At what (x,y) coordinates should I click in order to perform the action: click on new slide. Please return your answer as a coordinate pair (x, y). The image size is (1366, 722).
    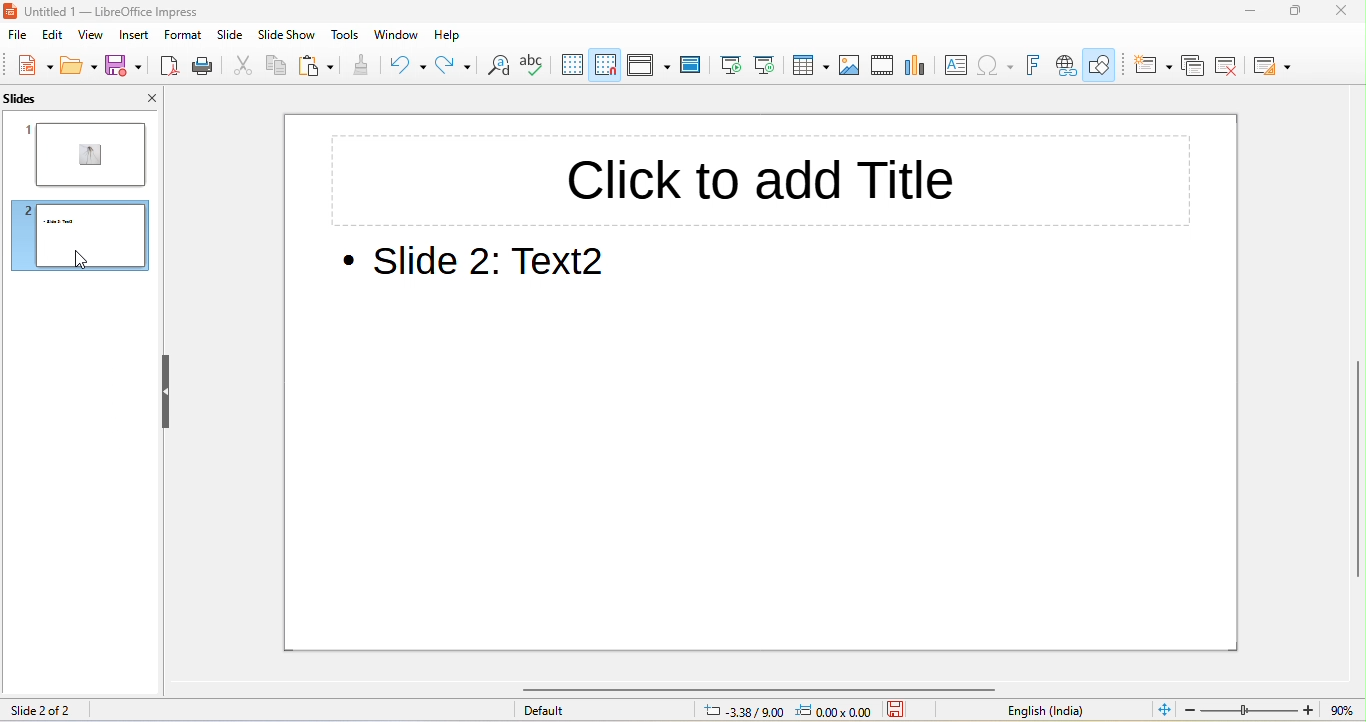
    Looking at the image, I should click on (1150, 64).